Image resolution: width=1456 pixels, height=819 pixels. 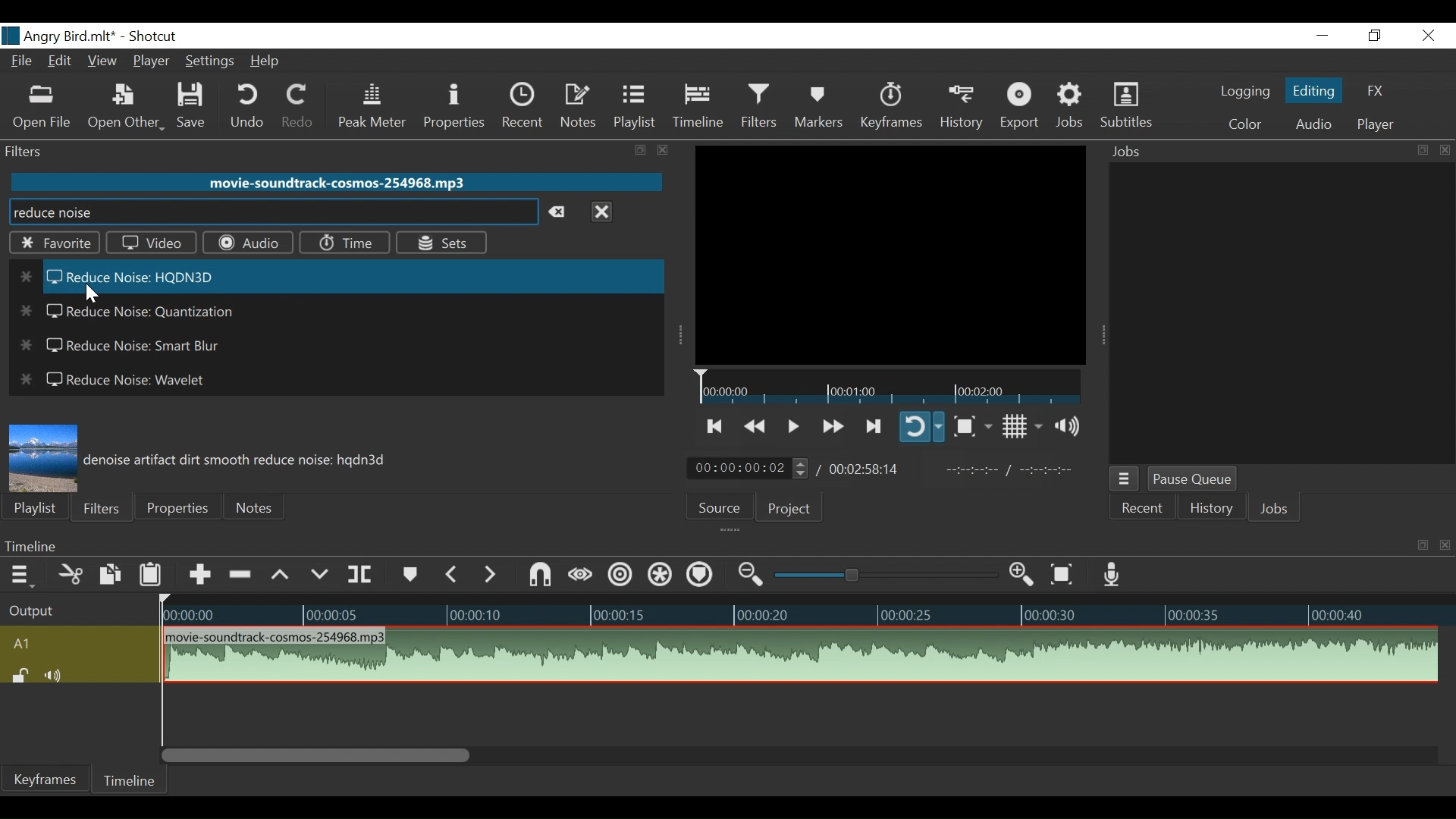 I want to click on In point, so click(x=1009, y=472).